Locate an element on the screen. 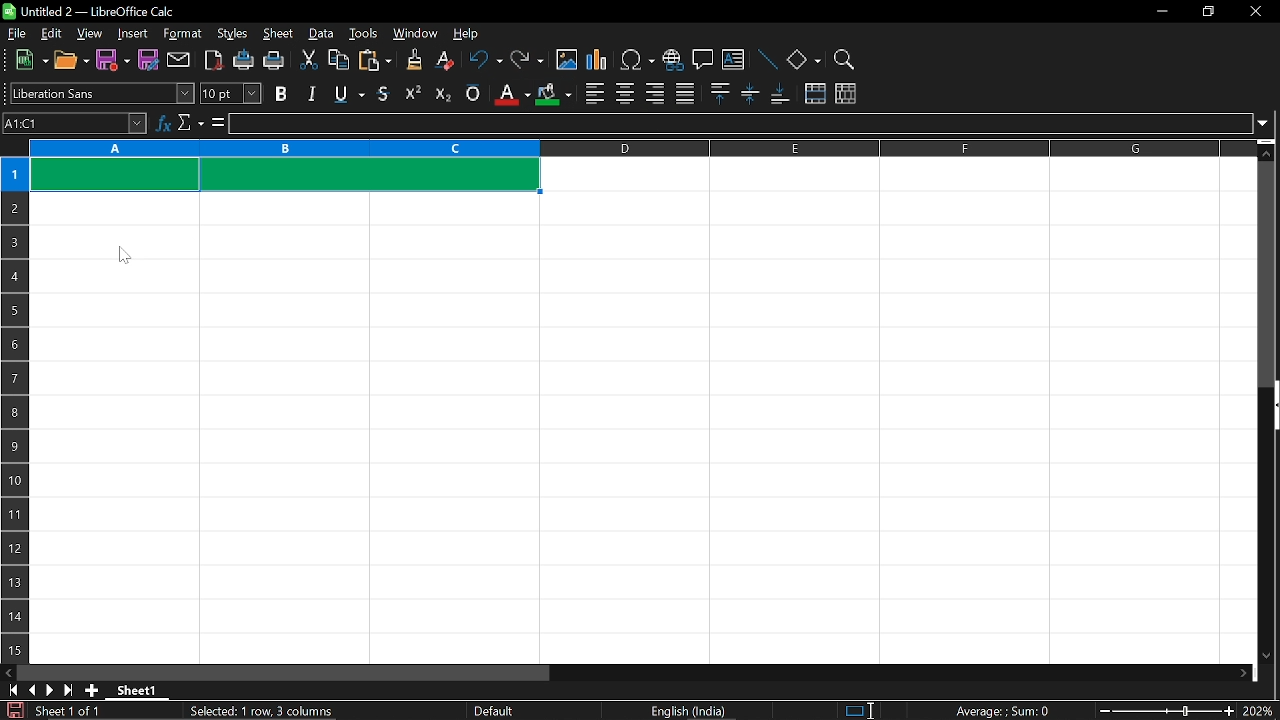  align right is located at coordinates (654, 94).